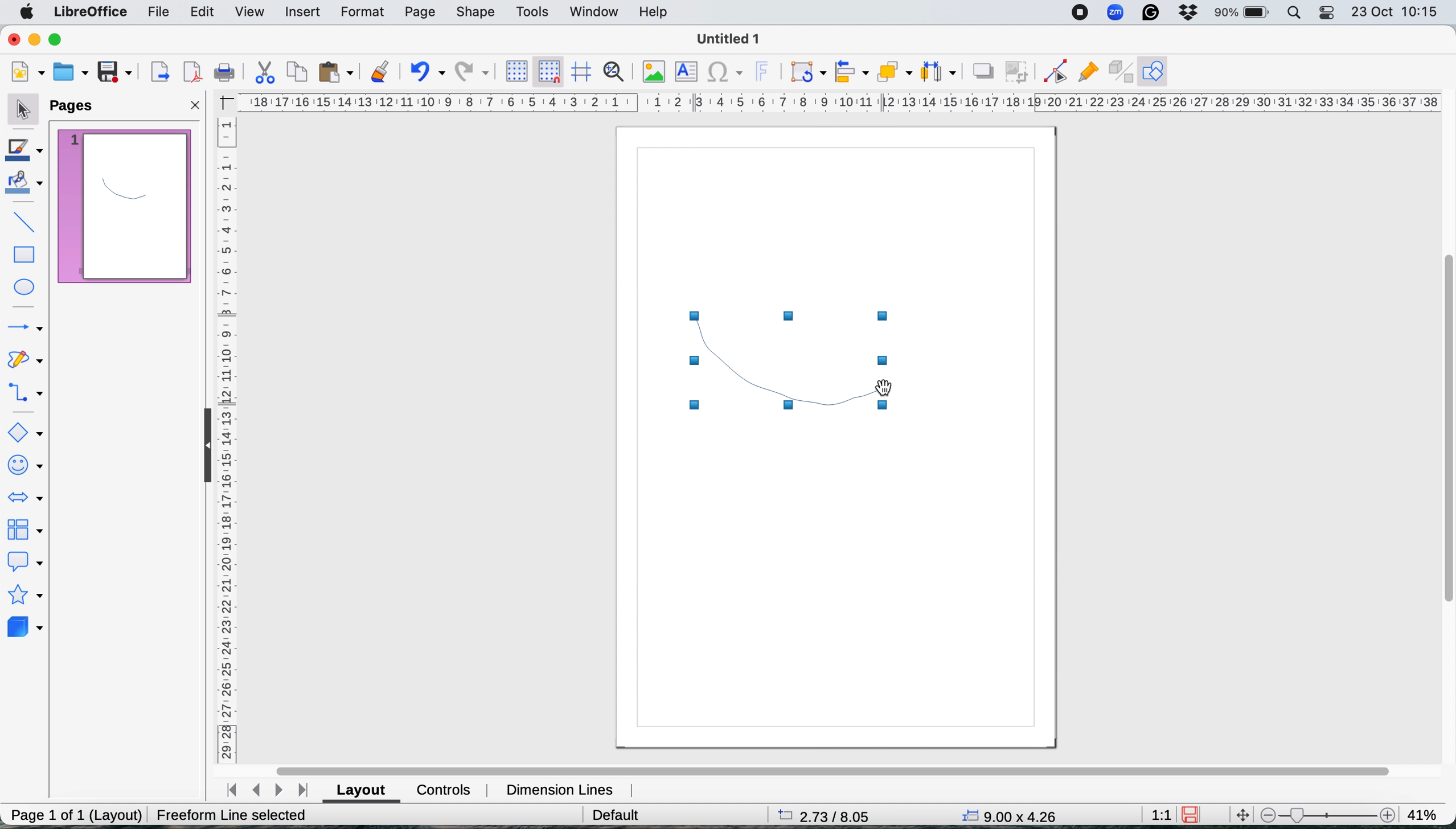 The width and height of the screenshot is (1456, 829). I want to click on open, so click(71, 71).